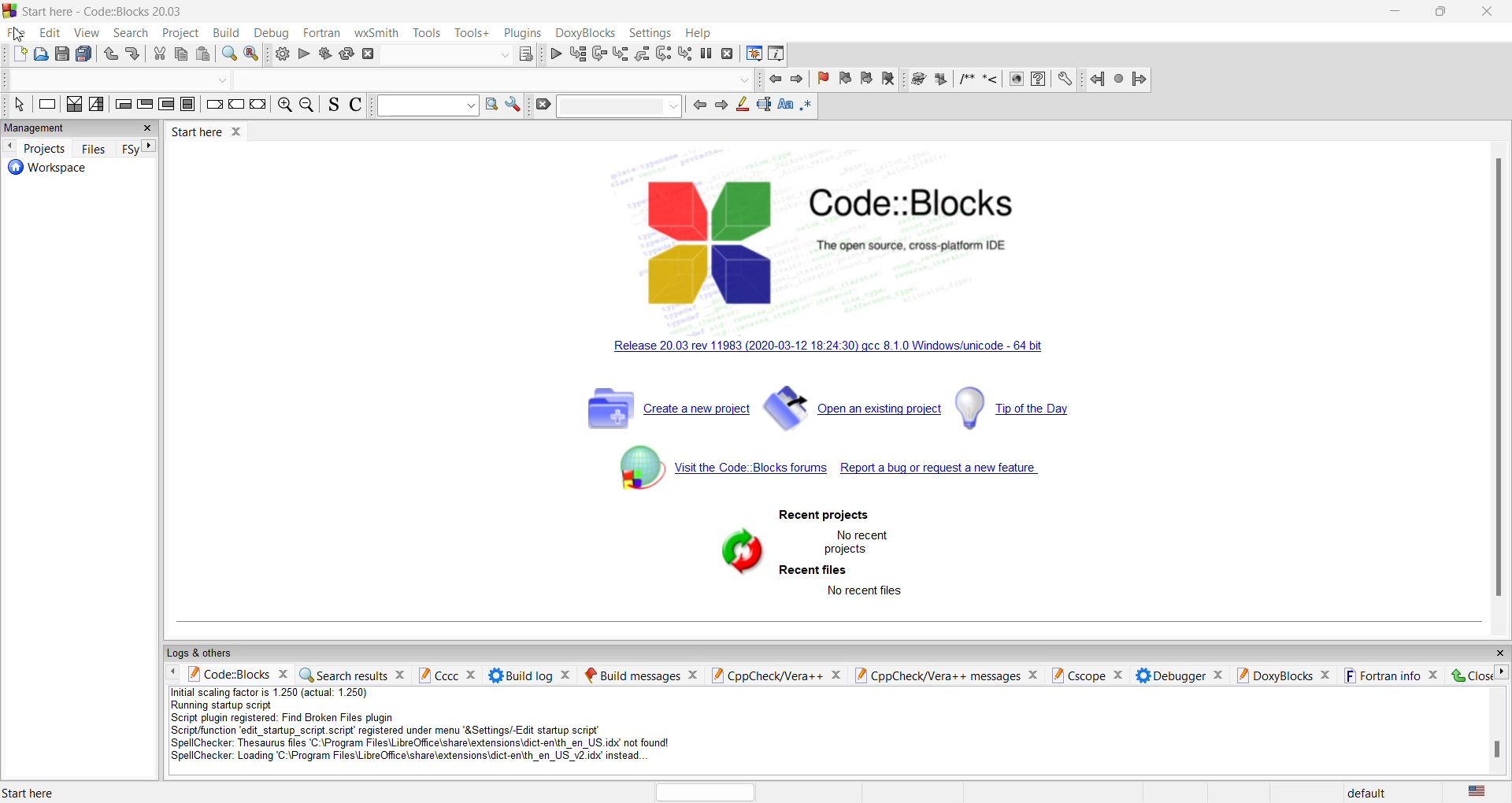 Image resolution: width=1512 pixels, height=803 pixels. What do you see at coordinates (74, 108) in the screenshot?
I see `decision selection` at bounding box center [74, 108].